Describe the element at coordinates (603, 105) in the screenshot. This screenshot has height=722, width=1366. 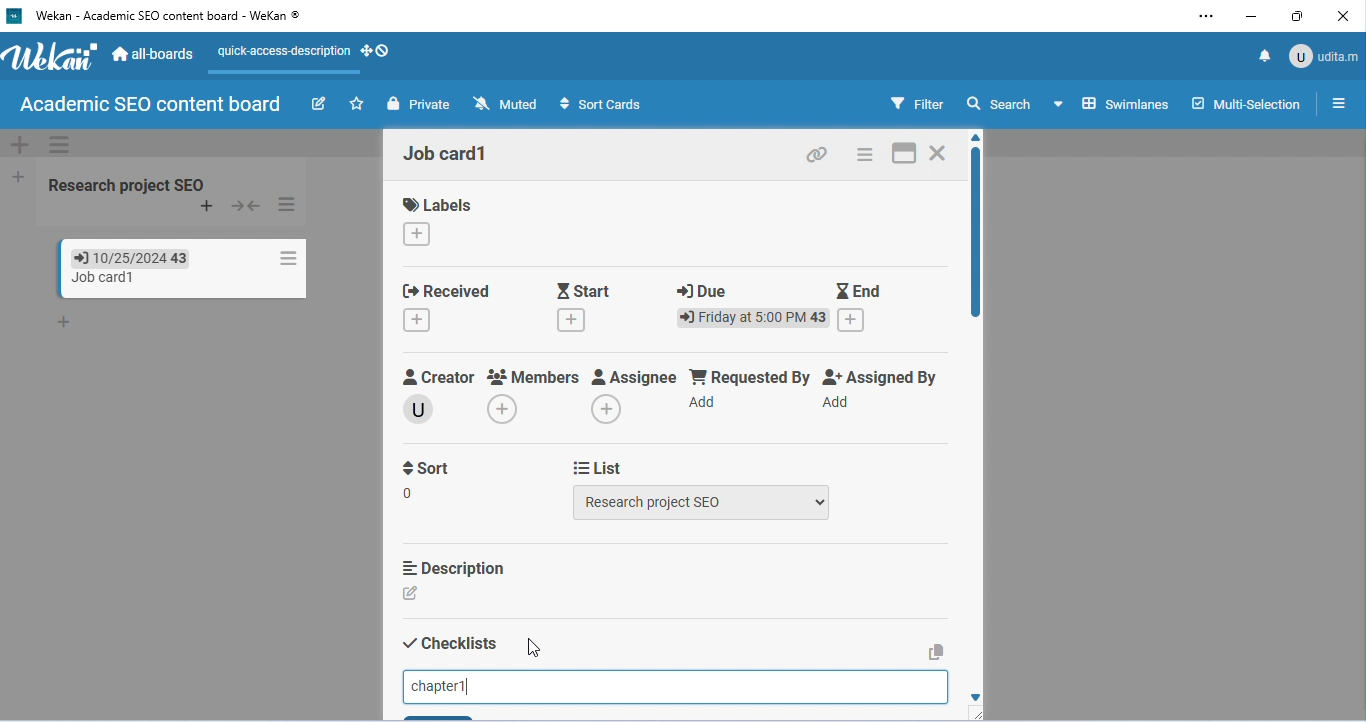
I see `sort cards` at that location.